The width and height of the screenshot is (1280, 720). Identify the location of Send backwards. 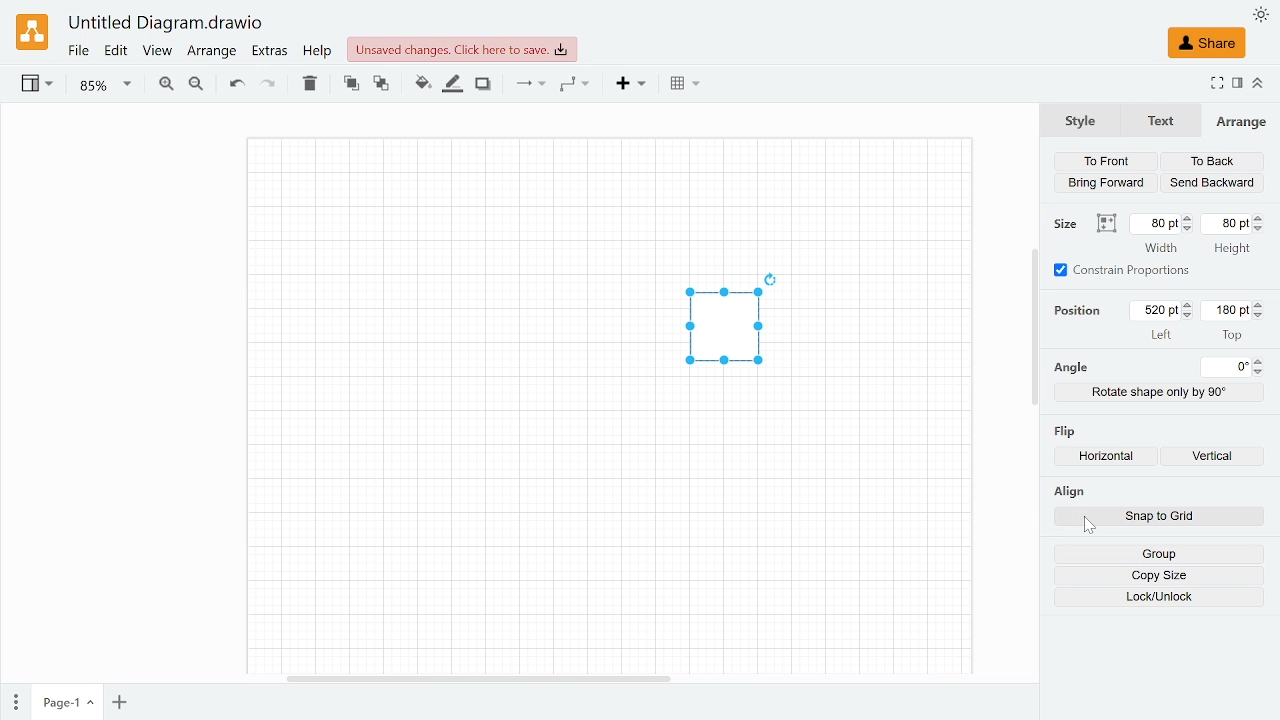
(1212, 183).